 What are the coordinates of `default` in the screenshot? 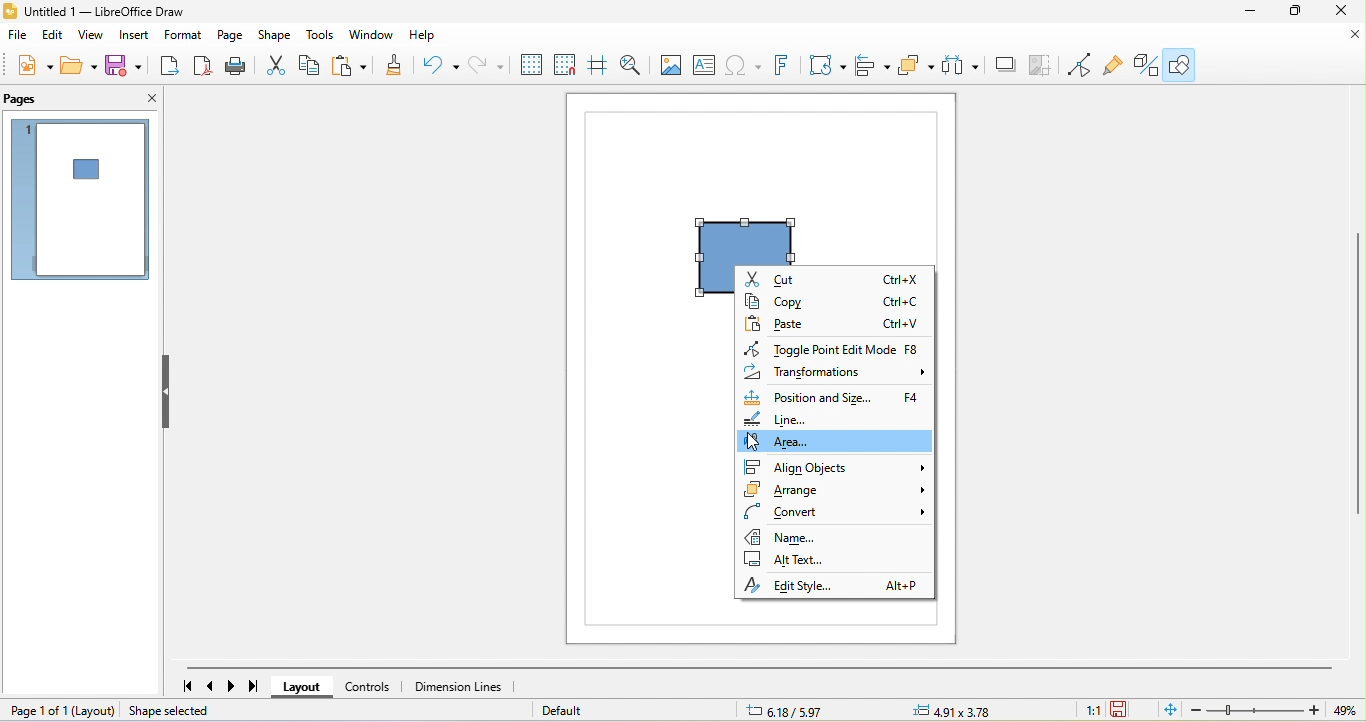 It's located at (572, 711).